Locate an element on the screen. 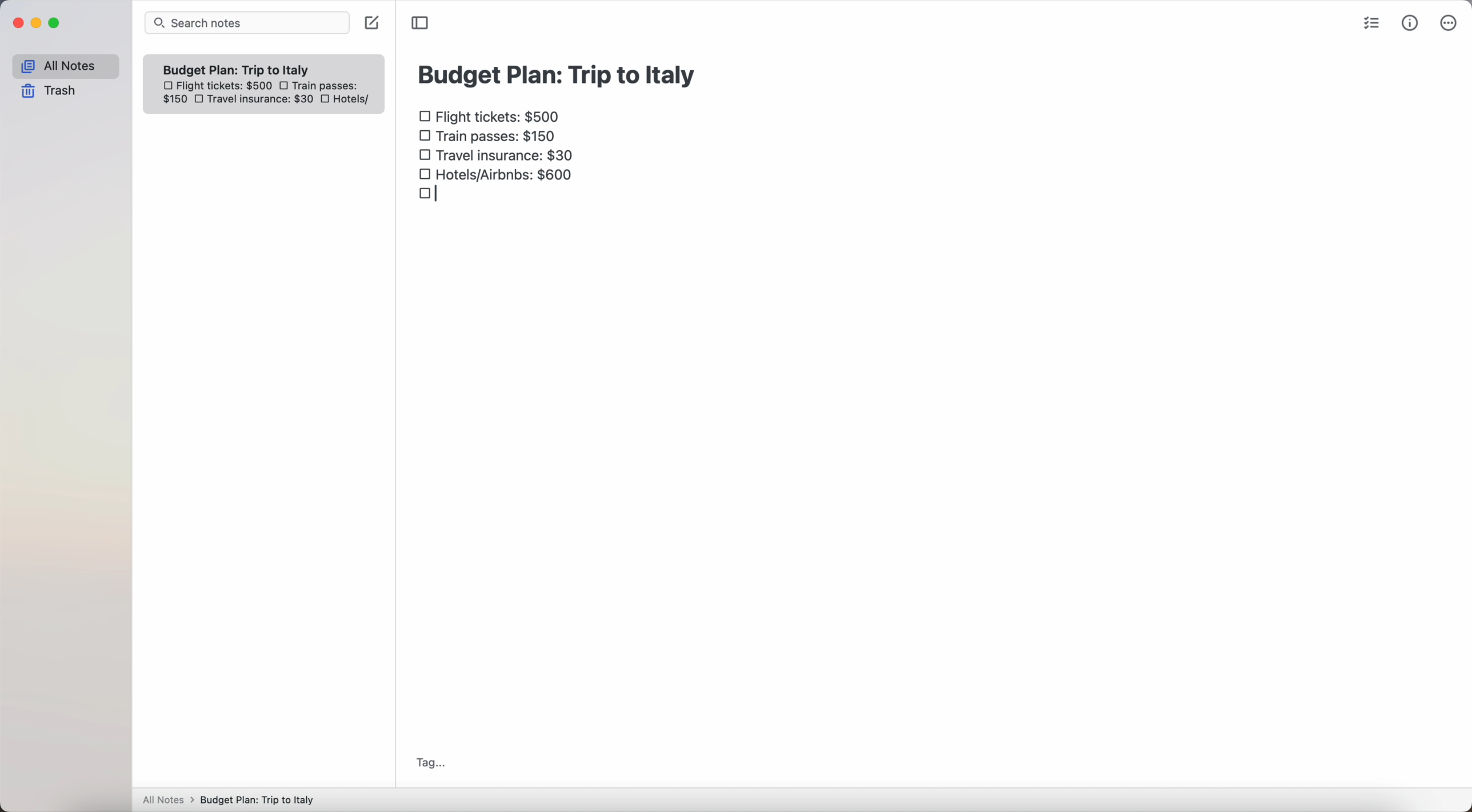 The image size is (1472, 812). close Simplenote is located at coordinates (18, 23).